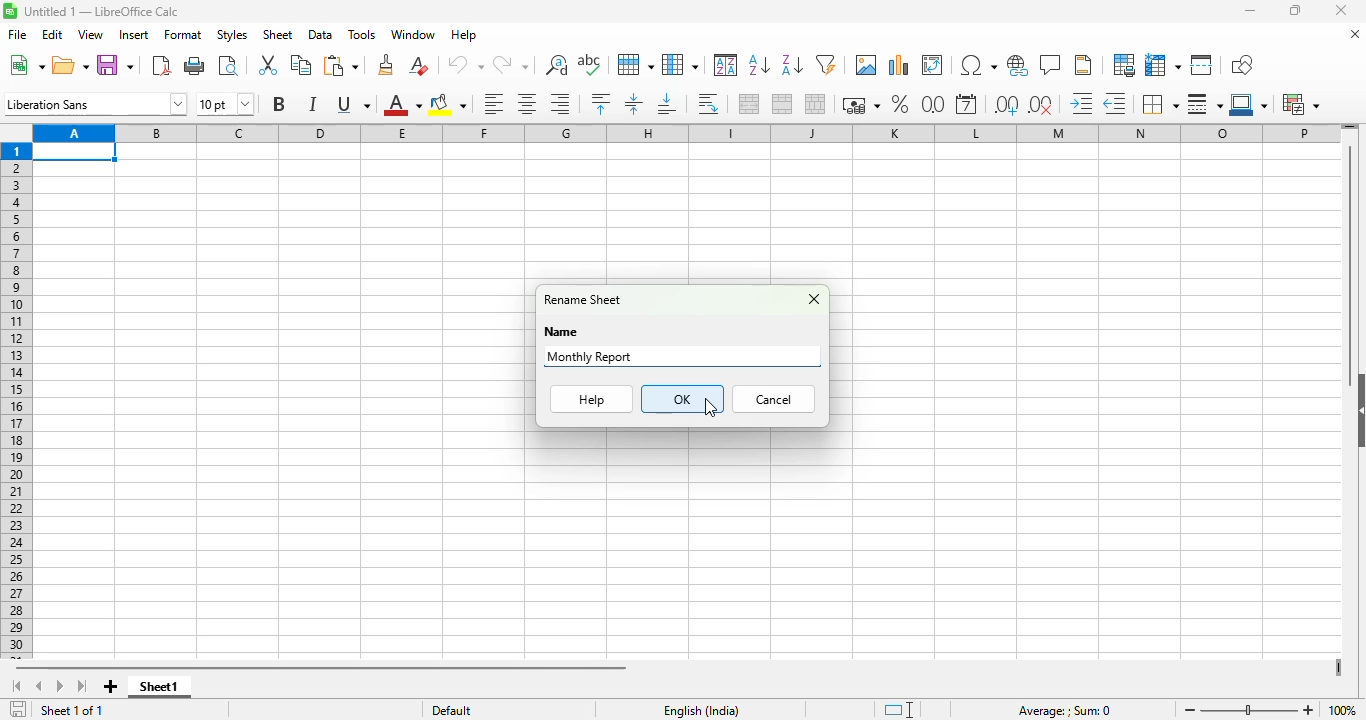 Image resolution: width=1366 pixels, height=720 pixels. What do you see at coordinates (600, 102) in the screenshot?
I see `align top` at bounding box center [600, 102].